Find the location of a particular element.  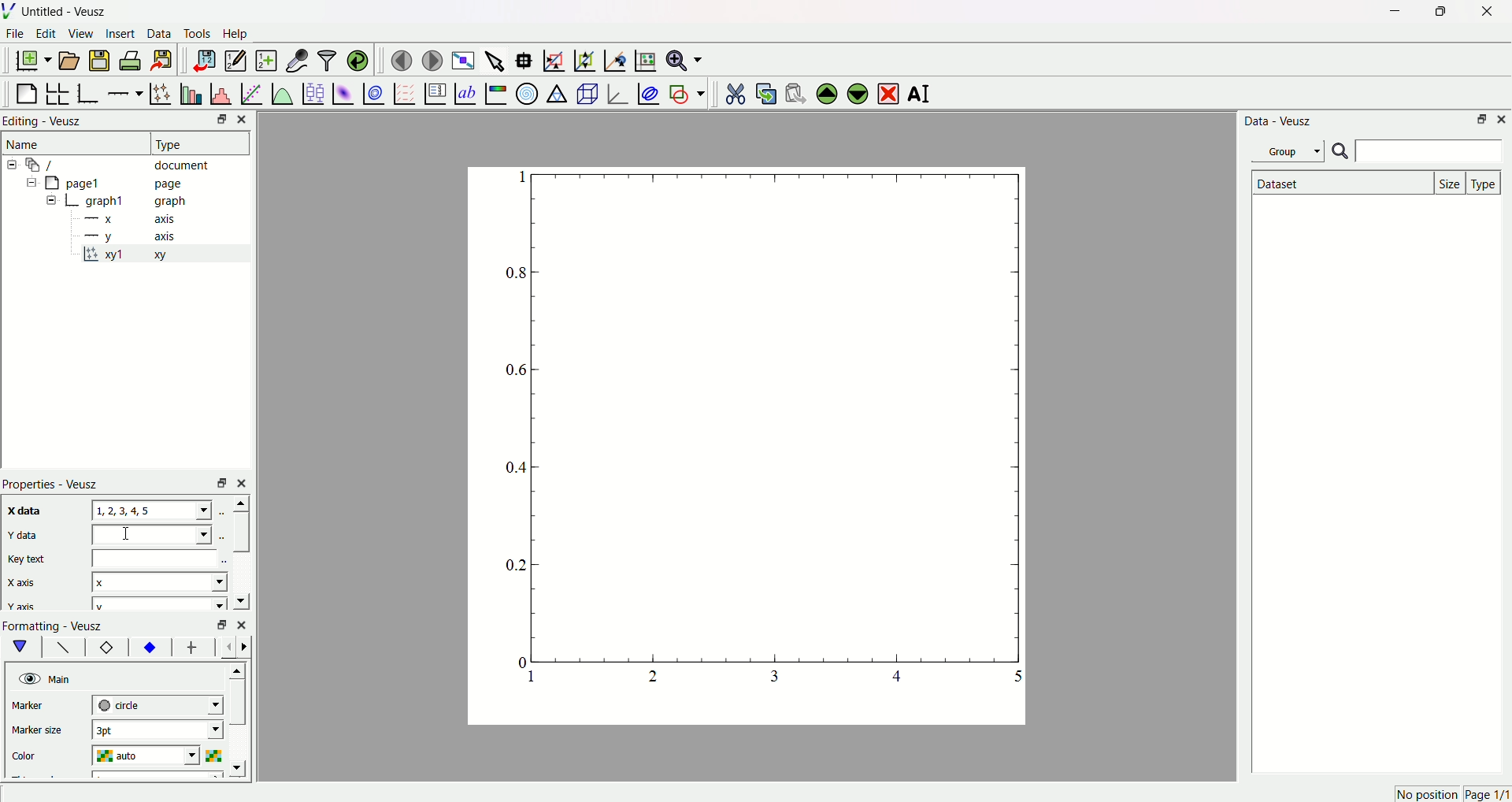

draw rectangle on zoom graph axes is located at coordinates (554, 58).